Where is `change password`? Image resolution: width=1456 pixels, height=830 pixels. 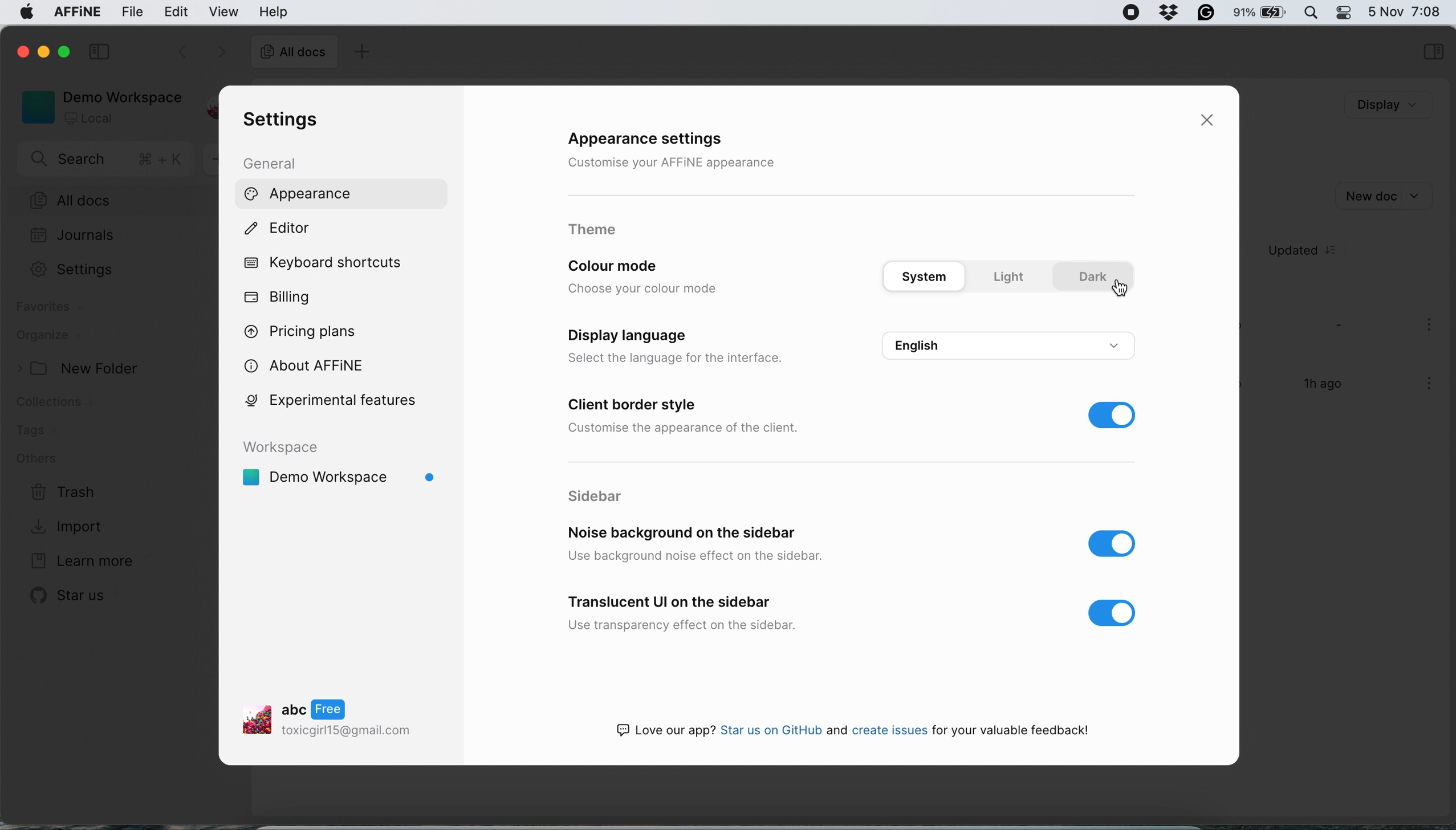 change password is located at coordinates (1076, 454).